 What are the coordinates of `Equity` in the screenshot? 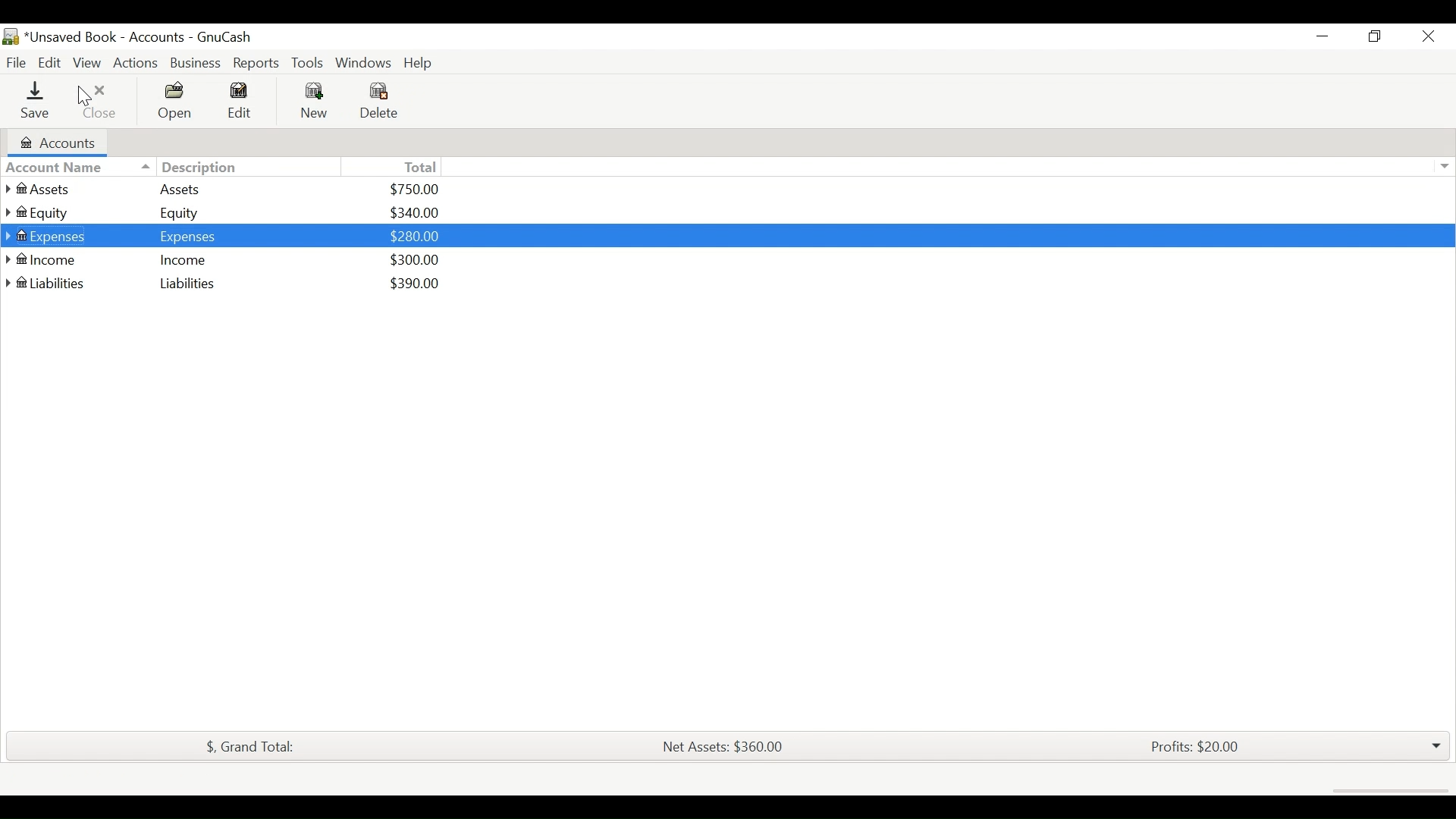 It's located at (190, 213).